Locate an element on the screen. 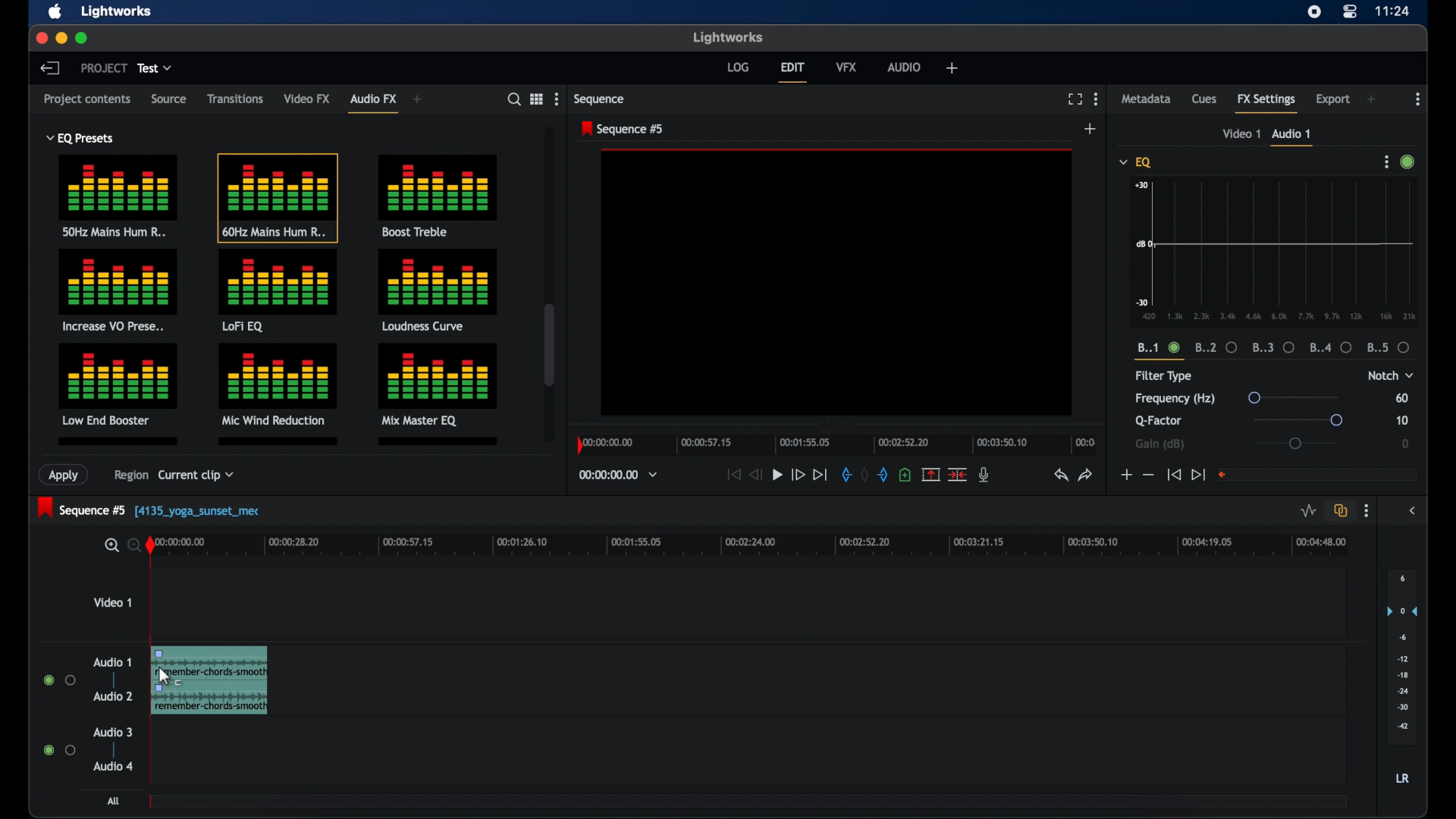 The width and height of the screenshot is (1456, 819). toggle audio levels editing is located at coordinates (1307, 510).